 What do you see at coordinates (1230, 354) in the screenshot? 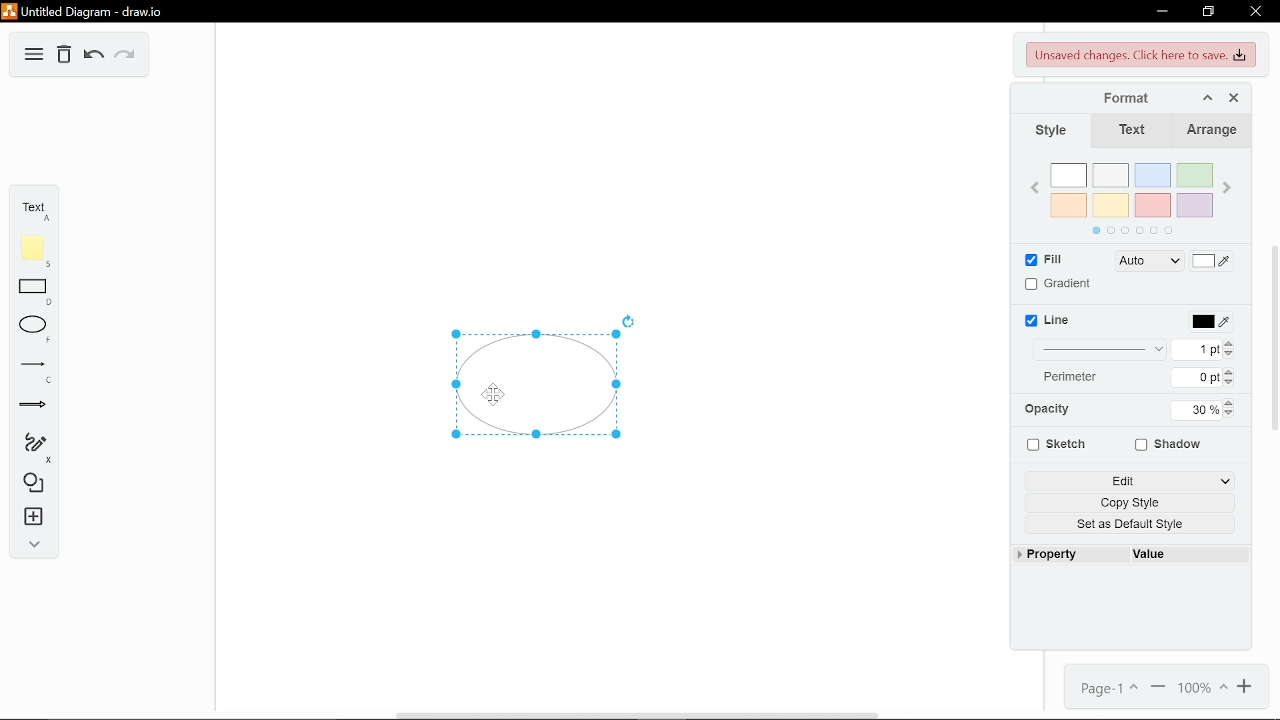
I see `Decrease thicness` at bounding box center [1230, 354].